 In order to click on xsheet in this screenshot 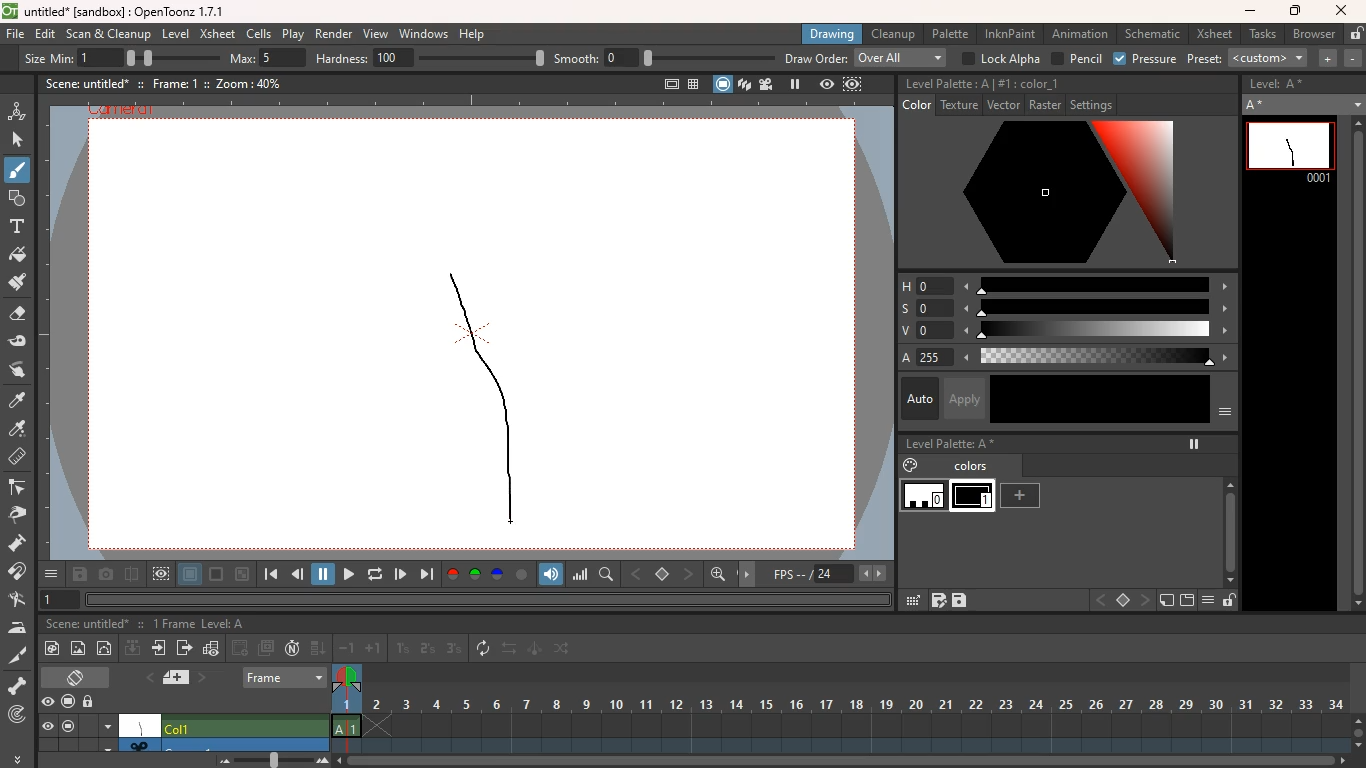, I will do `click(1214, 35)`.